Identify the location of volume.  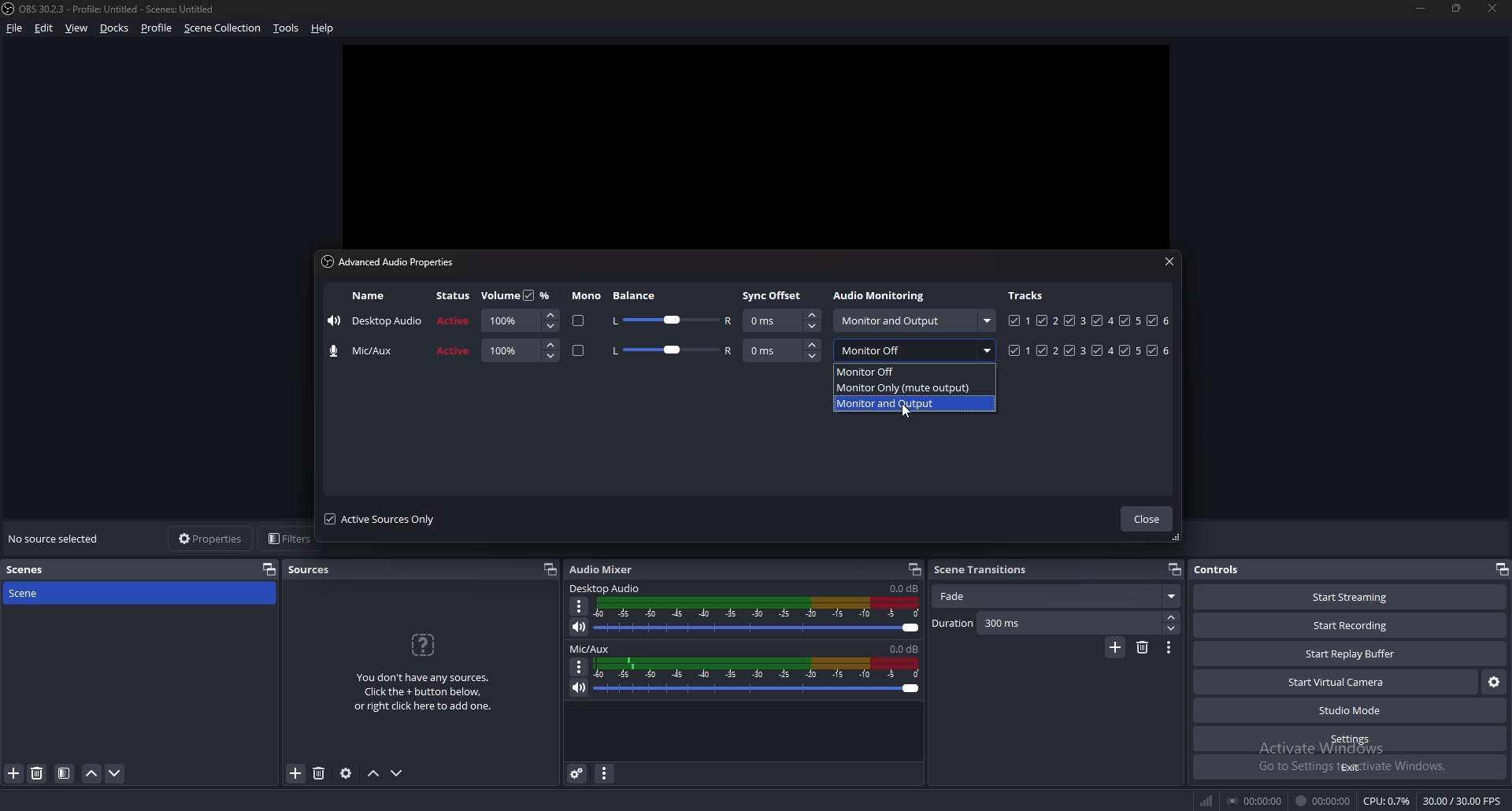
(499, 296).